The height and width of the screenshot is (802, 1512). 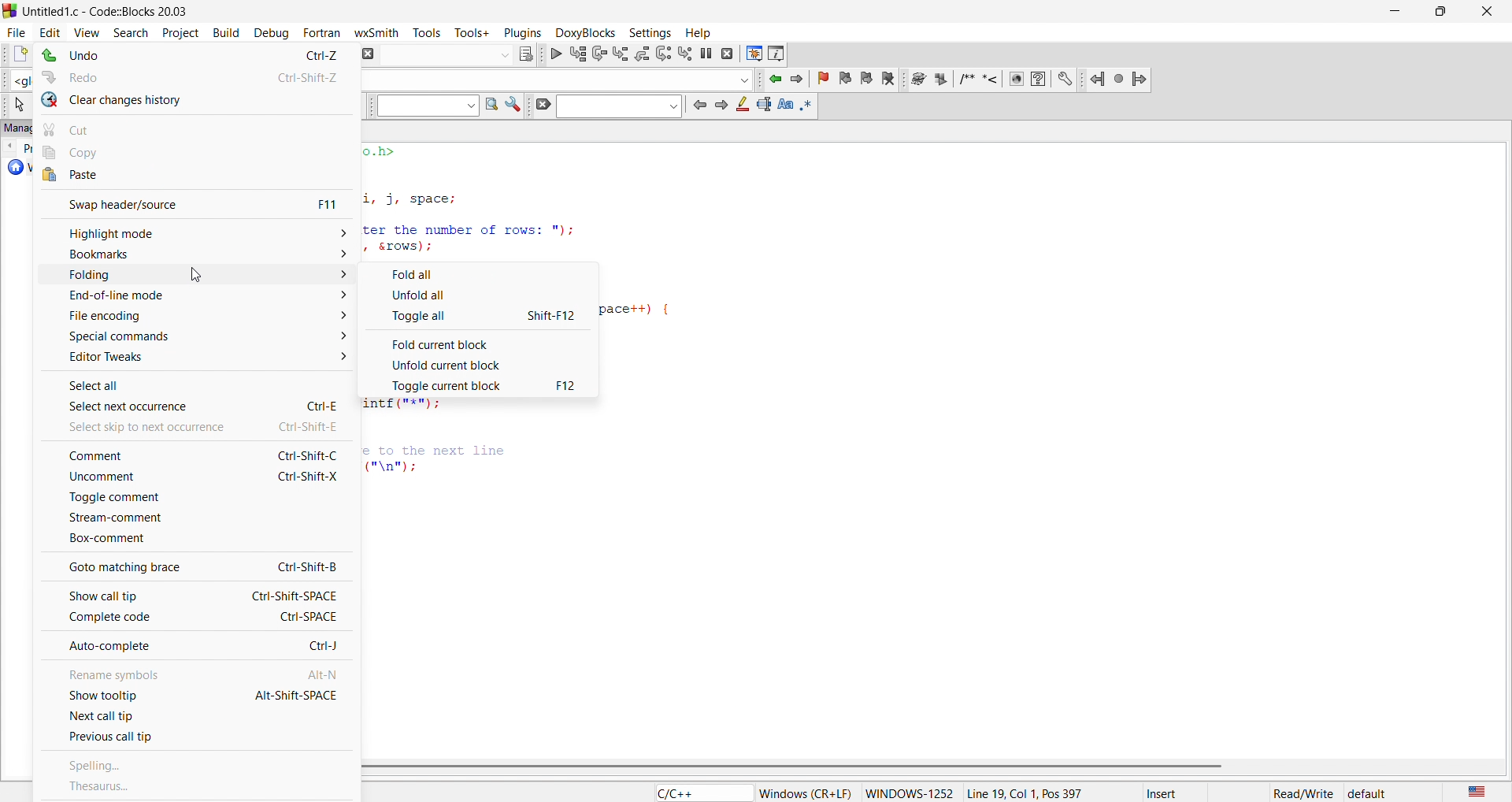 I want to click on run to cursor, so click(x=577, y=54).